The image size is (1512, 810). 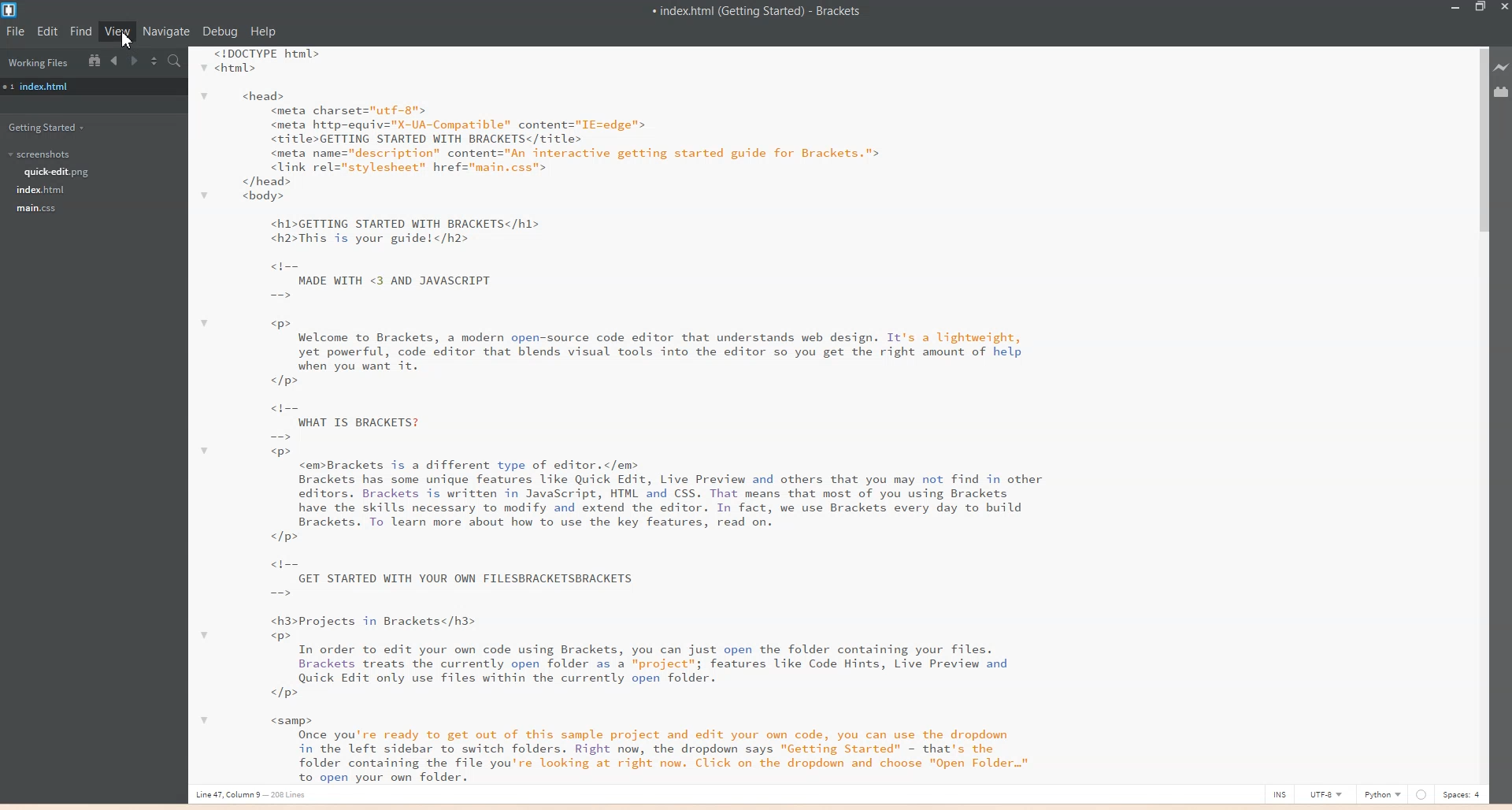 What do you see at coordinates (1462, 793) in the screenshot?
I see `Space` at bounding box center [1462, 793].